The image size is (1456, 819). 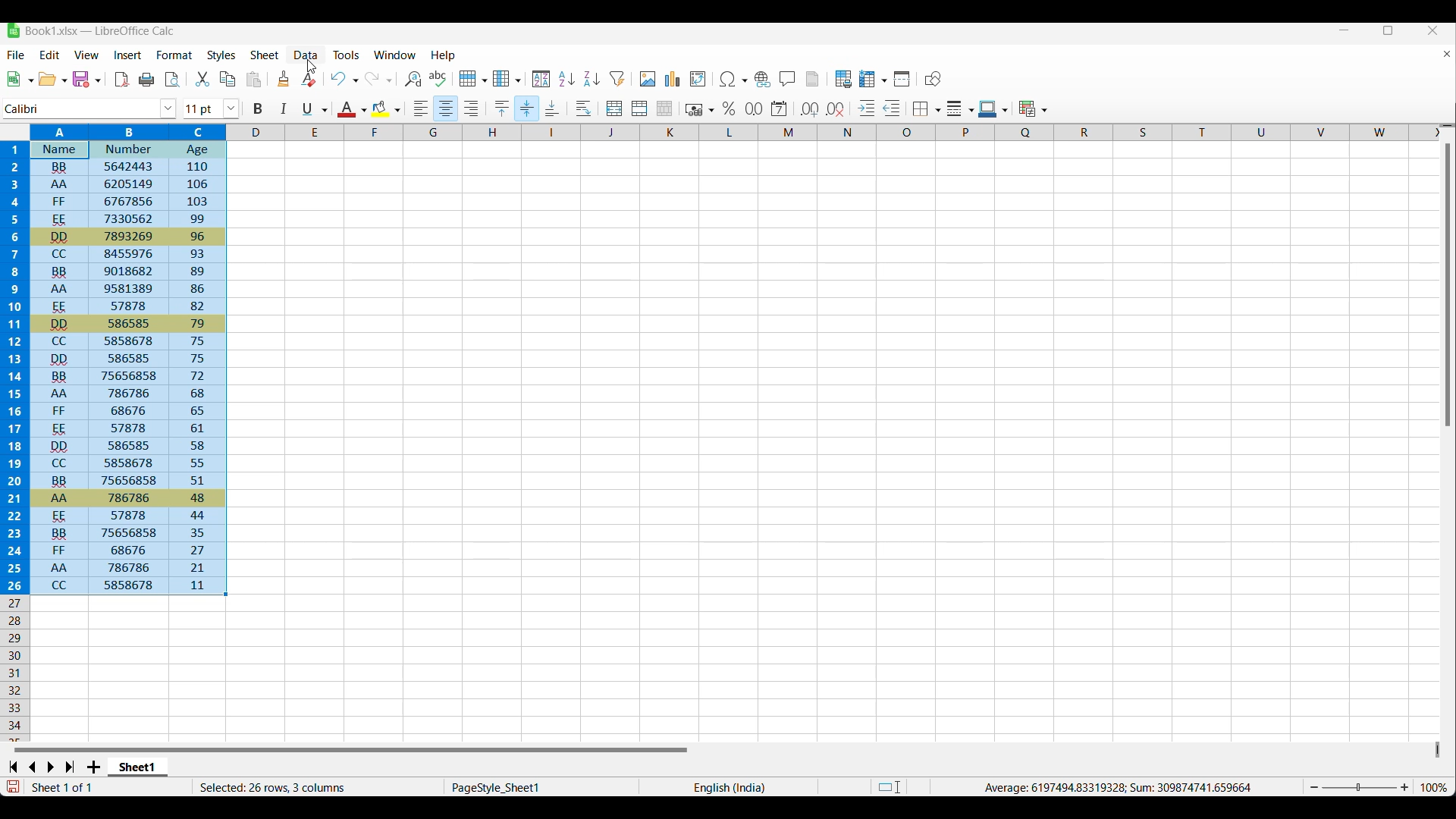 What do you see at coordinates (14, 30) in the screenshot?
I see `Software logo` at bounding box center [14, 30].